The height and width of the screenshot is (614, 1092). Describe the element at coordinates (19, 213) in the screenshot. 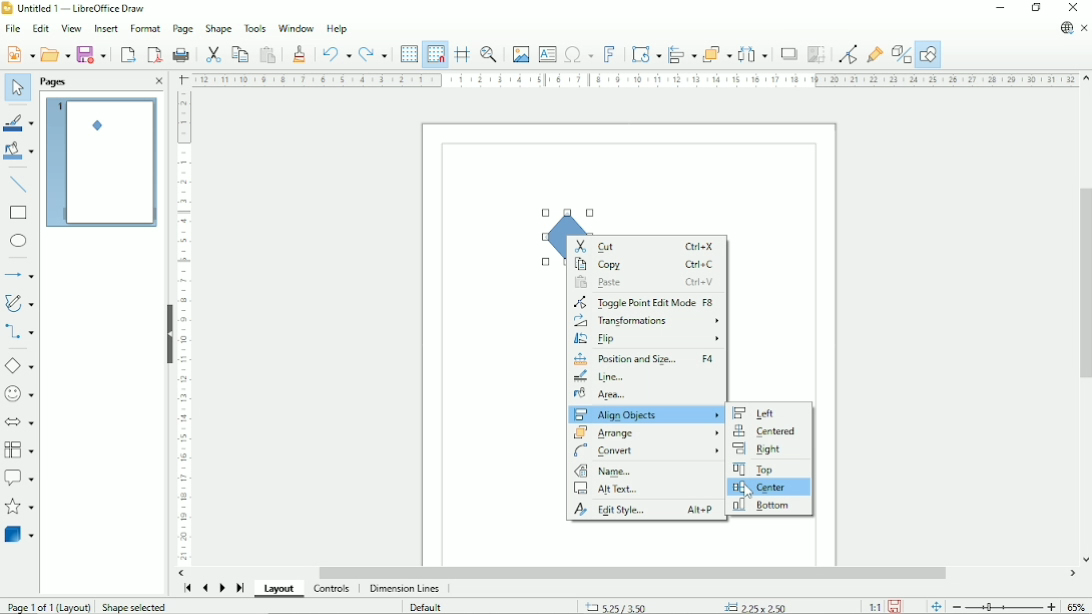

I see `Rectangle` at that location.